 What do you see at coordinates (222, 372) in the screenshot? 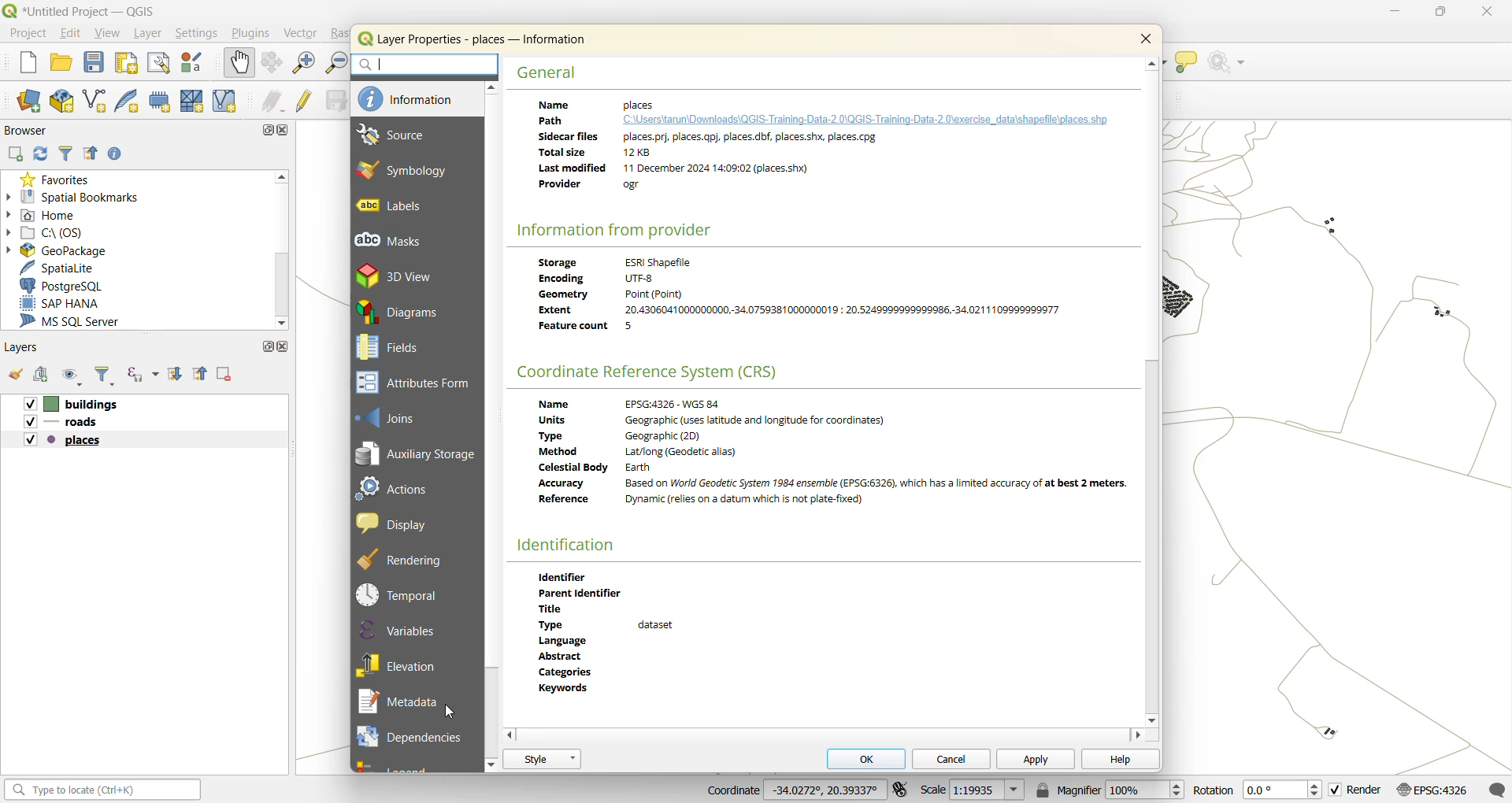
I see `remove` at bounding box center [222, 372].